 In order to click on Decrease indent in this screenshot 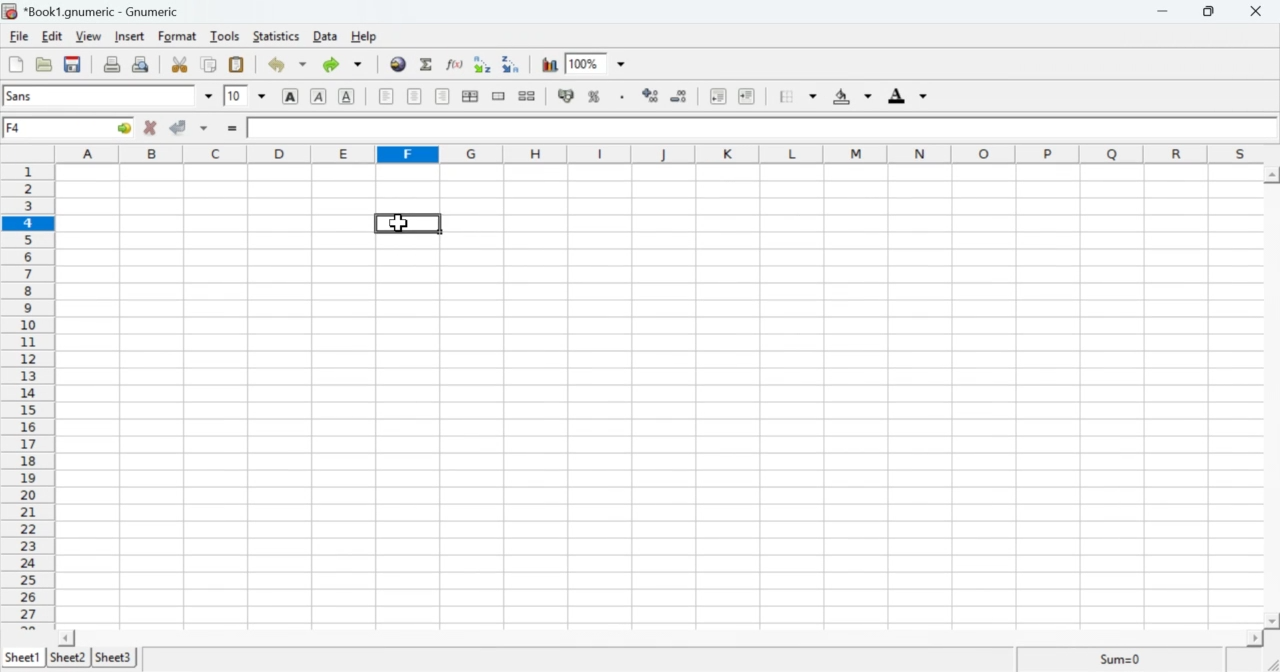, I will do `click(717, 95)`.